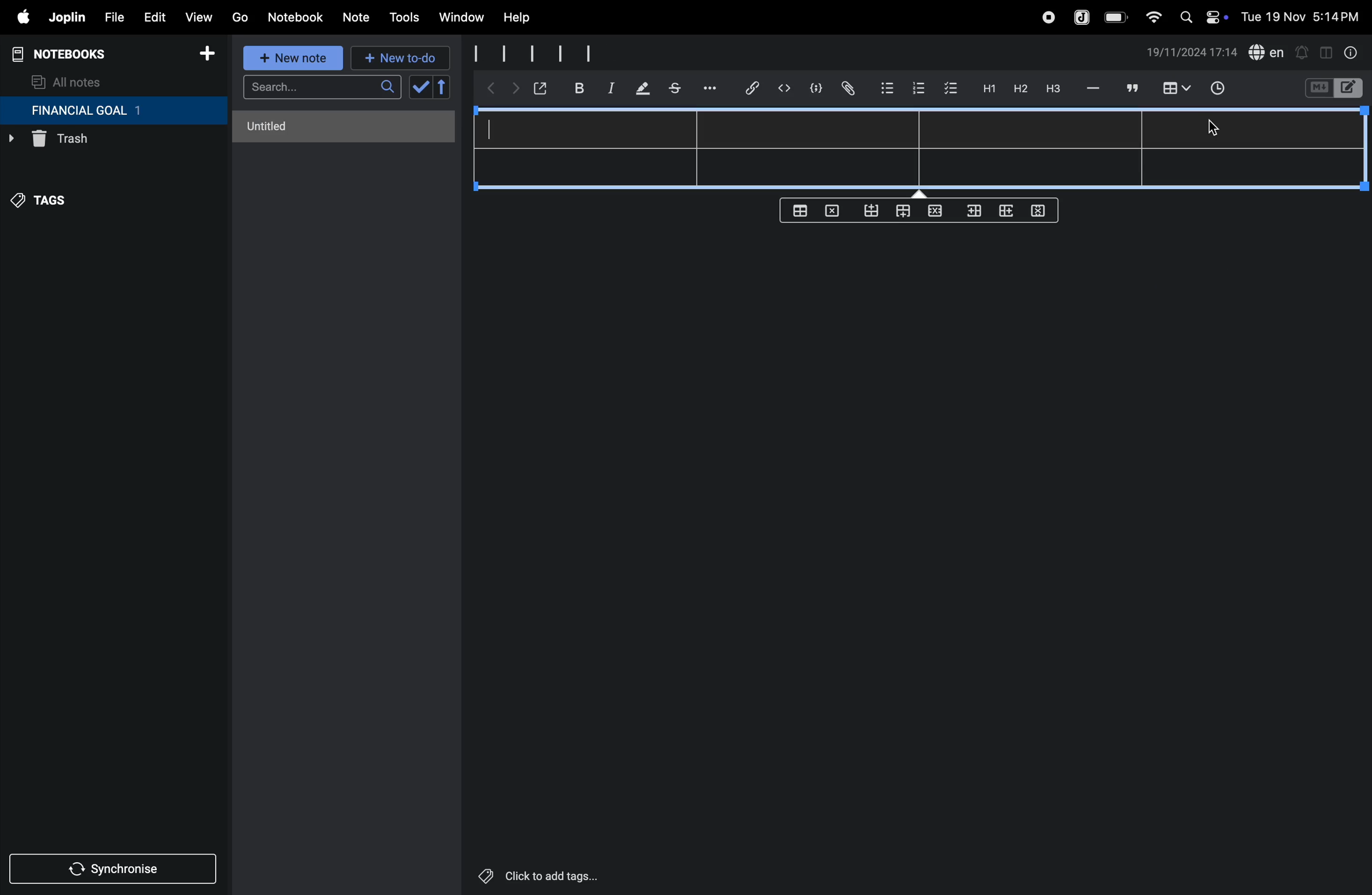 The width and height of the screenshot is (1372, 895). What do you see at coordinates (1213, 131) in the screenshot?
I see `cursor` at bounding box center [1213, 131].